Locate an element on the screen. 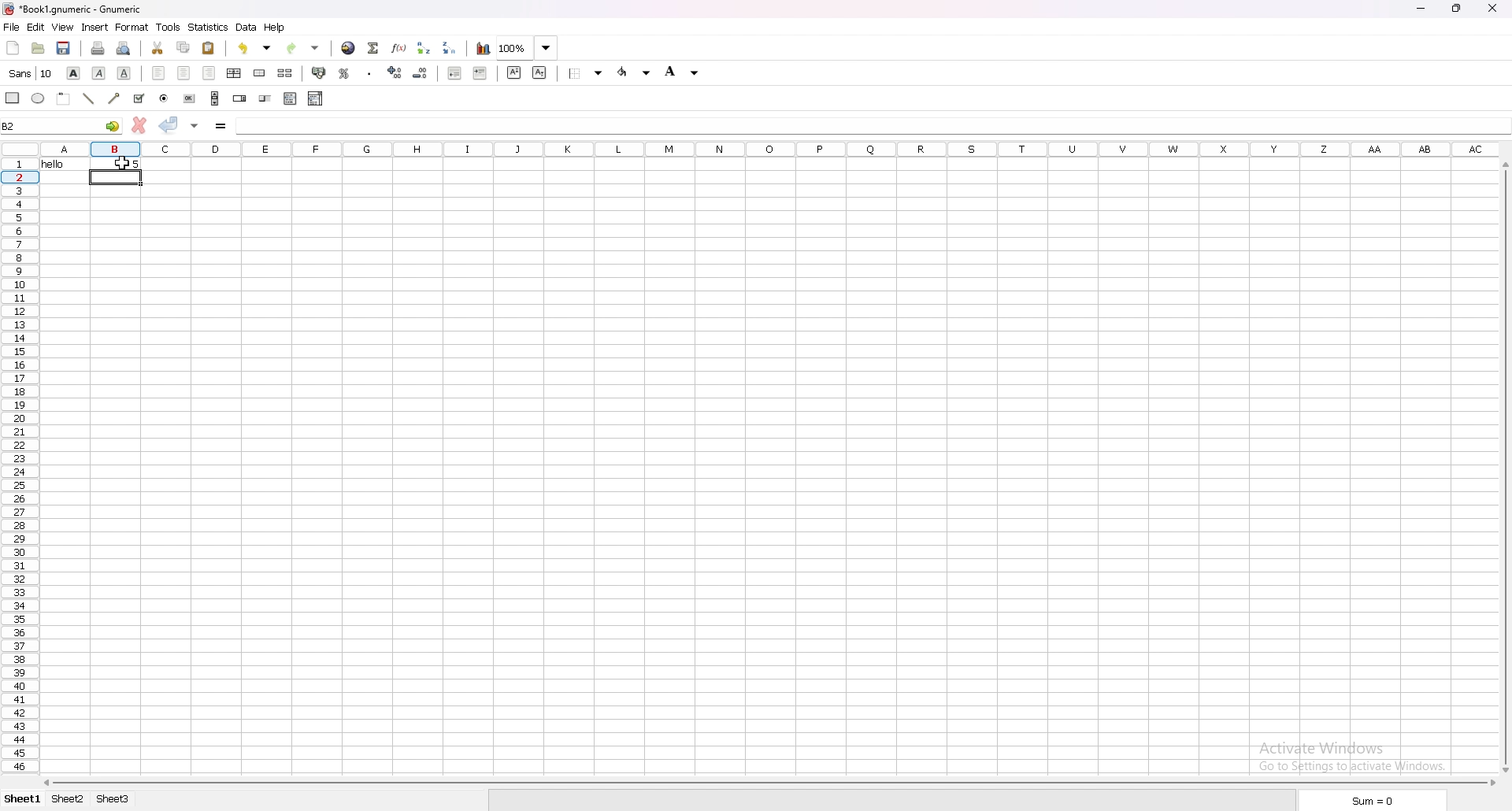 The image size is (1512, 811). gnumeric is located at coordinates (72, 10).